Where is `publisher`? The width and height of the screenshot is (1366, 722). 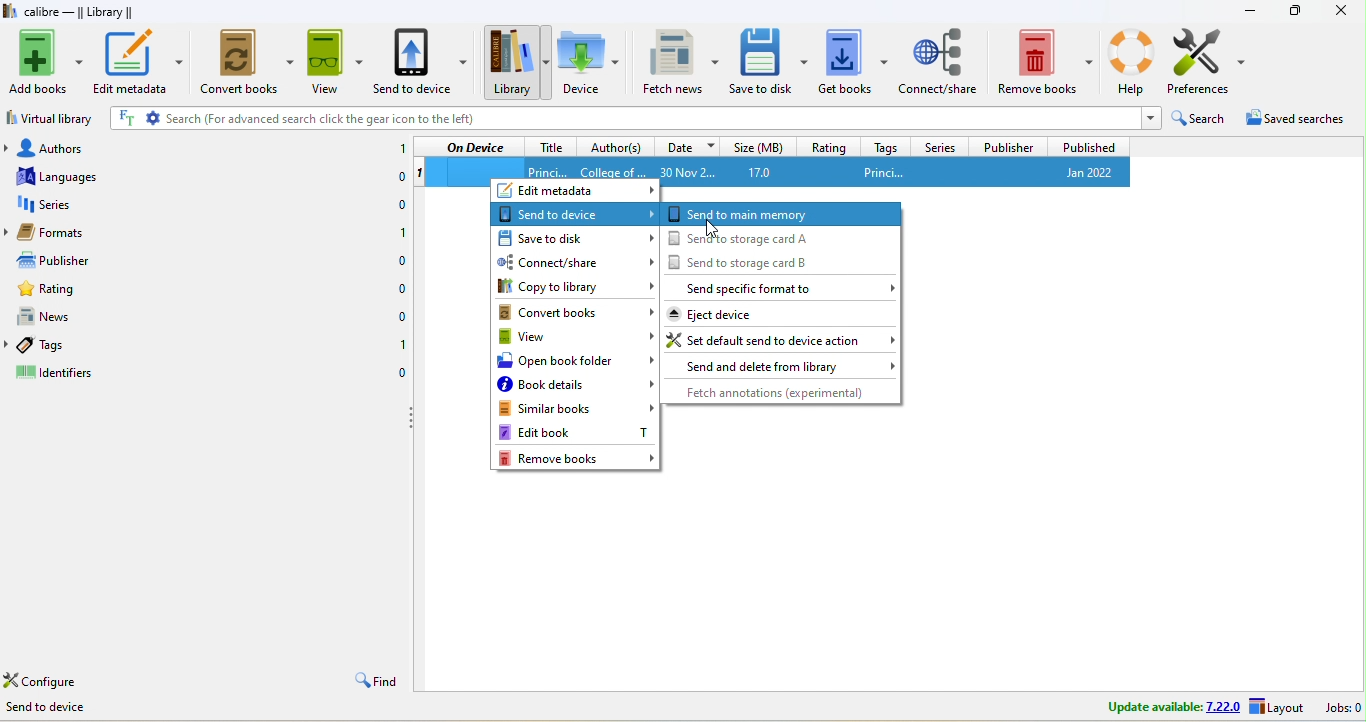
publisher is located at coordinates (1006, 146).